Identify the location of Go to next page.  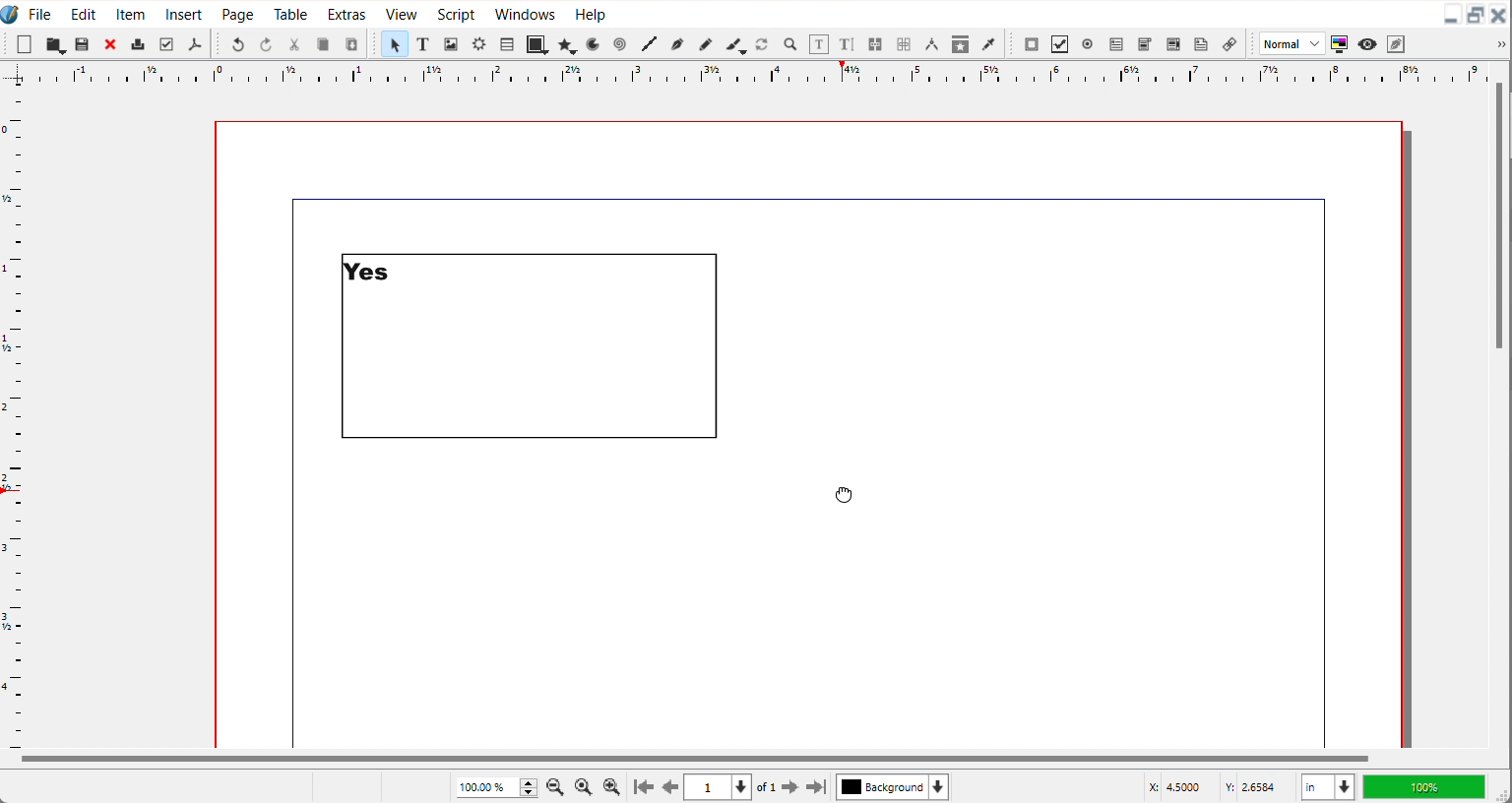
(779, 787).